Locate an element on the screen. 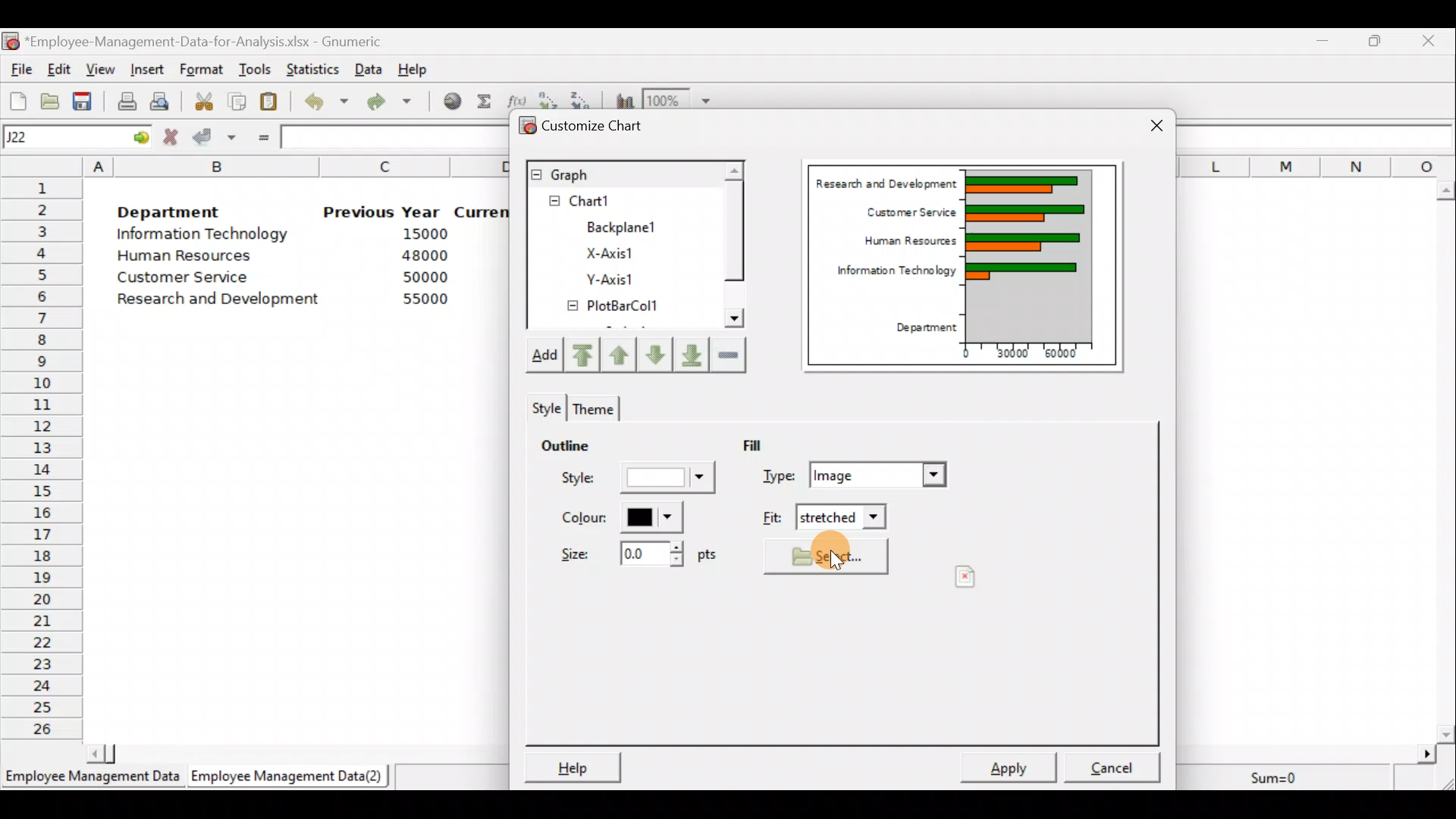  Insert a chart is located at coordinates (622, 99).